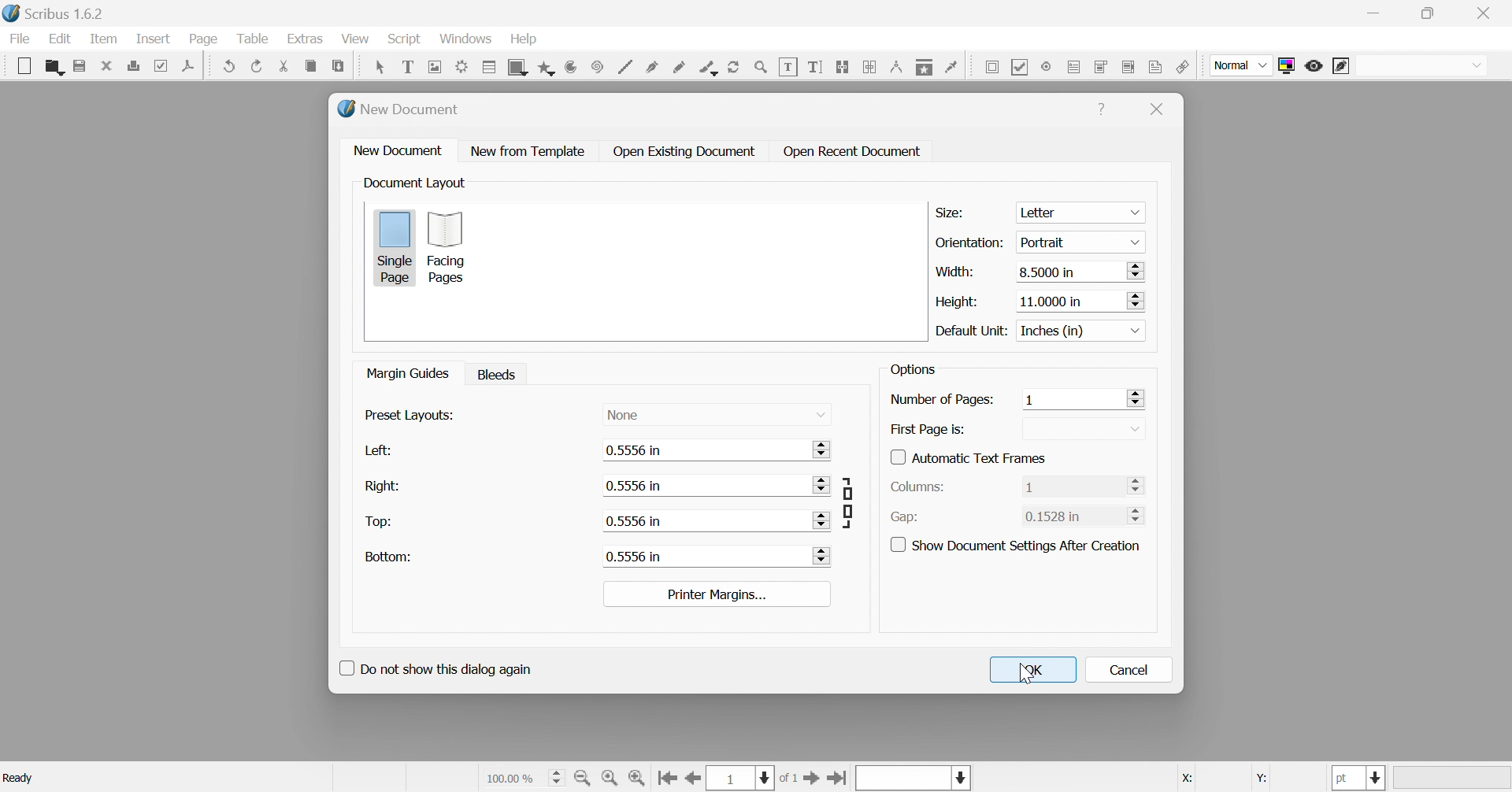 The width and height of the screenshot is (1512, 792). Describe the element at coordinates (379, 68) in the screenshot. I see `select item` at that location.